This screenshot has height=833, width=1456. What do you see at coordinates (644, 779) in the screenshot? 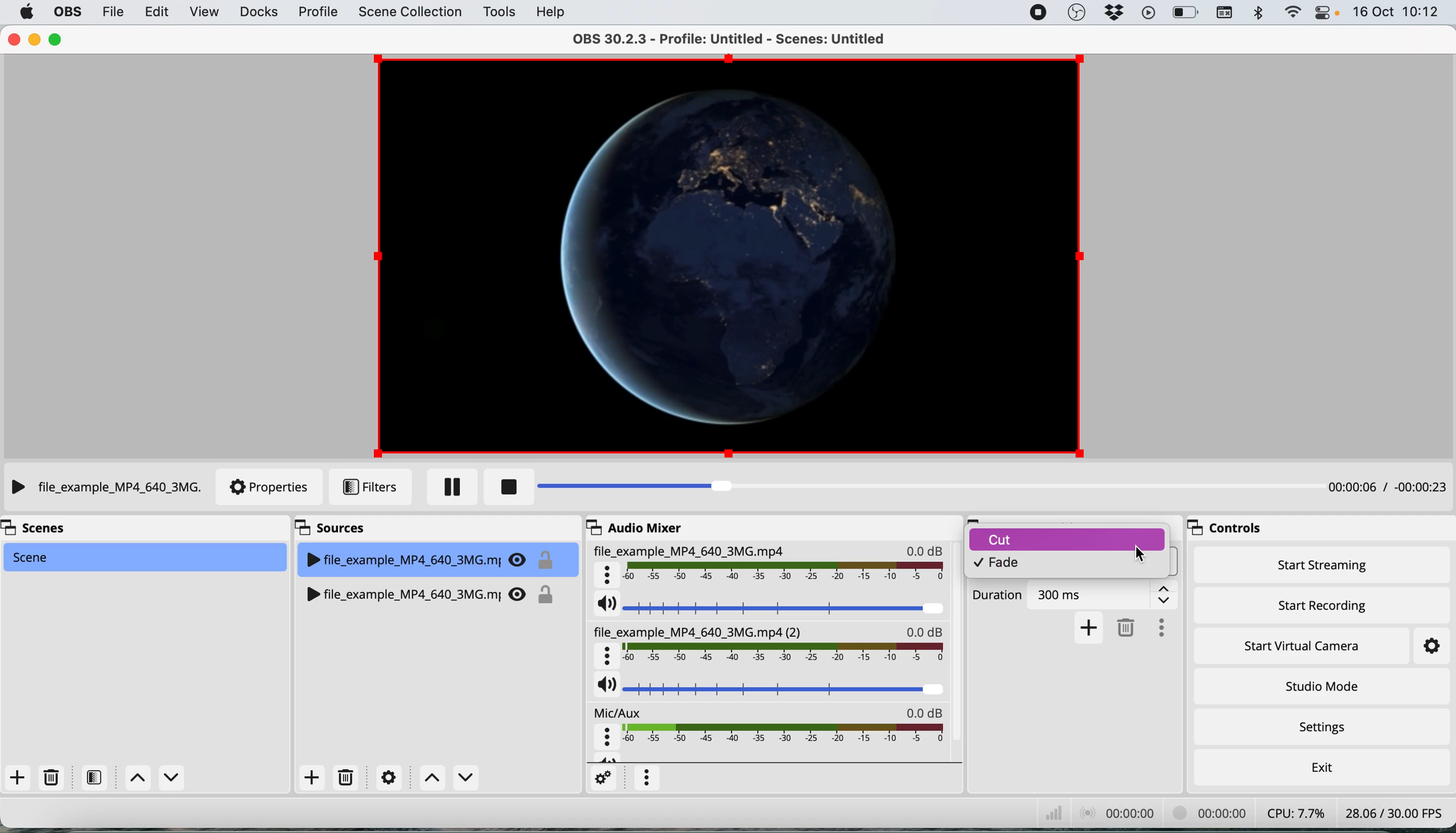
I see `more options` at bounding box center [644, 779].